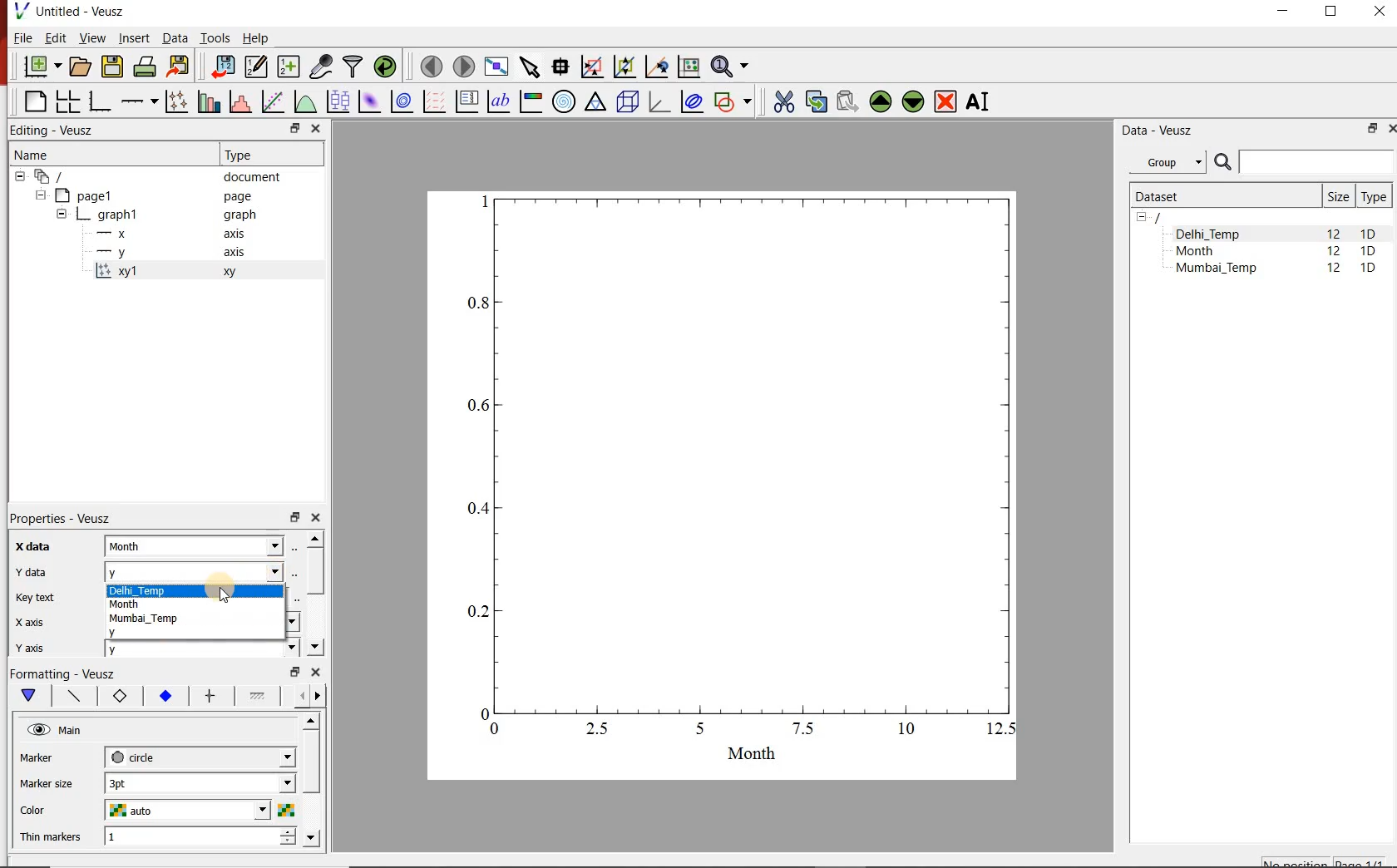 Image resolution: width=1397 pixels, height=868 pixels. I want to click on close, so click(314, 518).